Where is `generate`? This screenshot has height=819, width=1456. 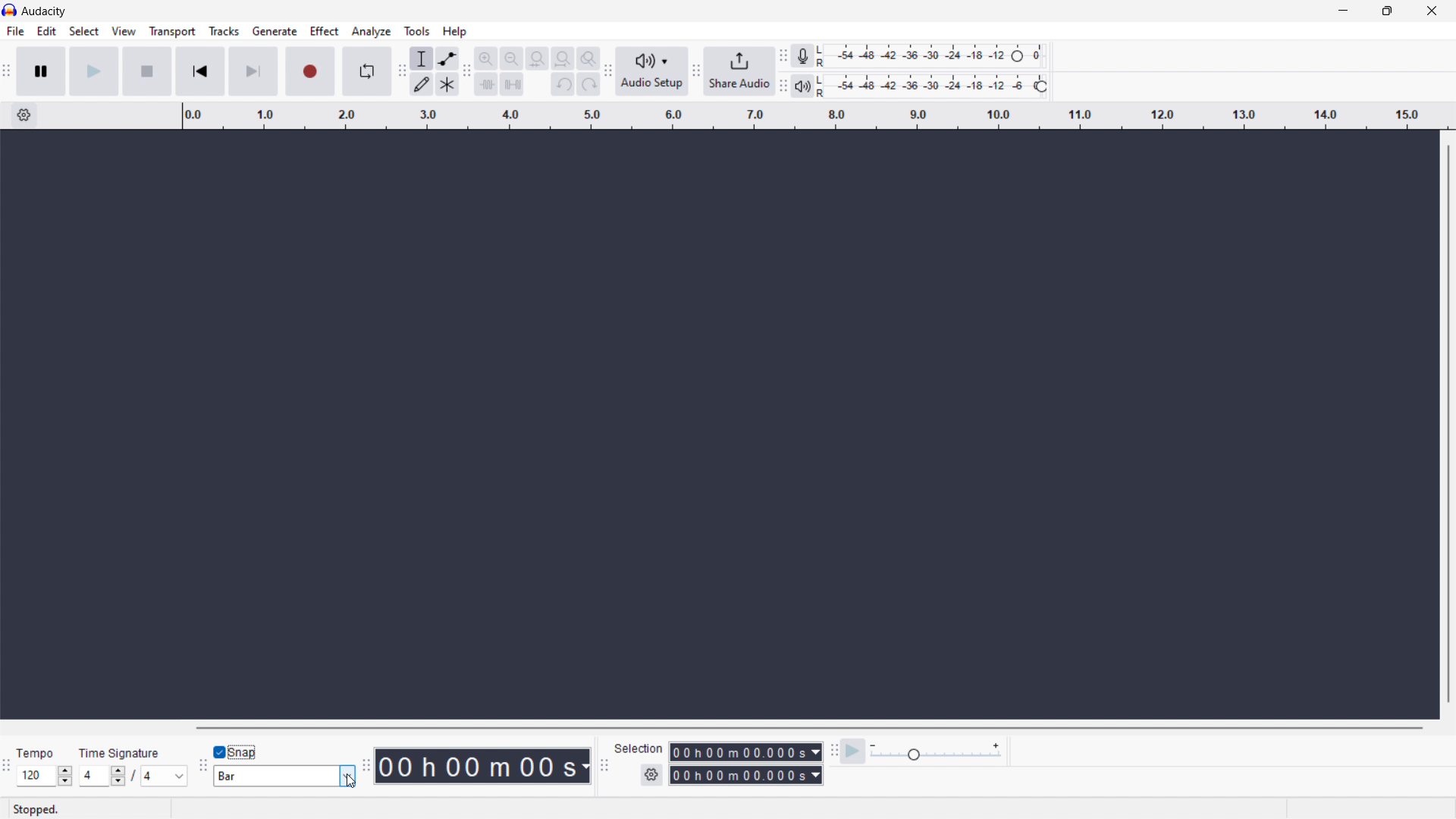
generate is located at coordinates (275, 32).